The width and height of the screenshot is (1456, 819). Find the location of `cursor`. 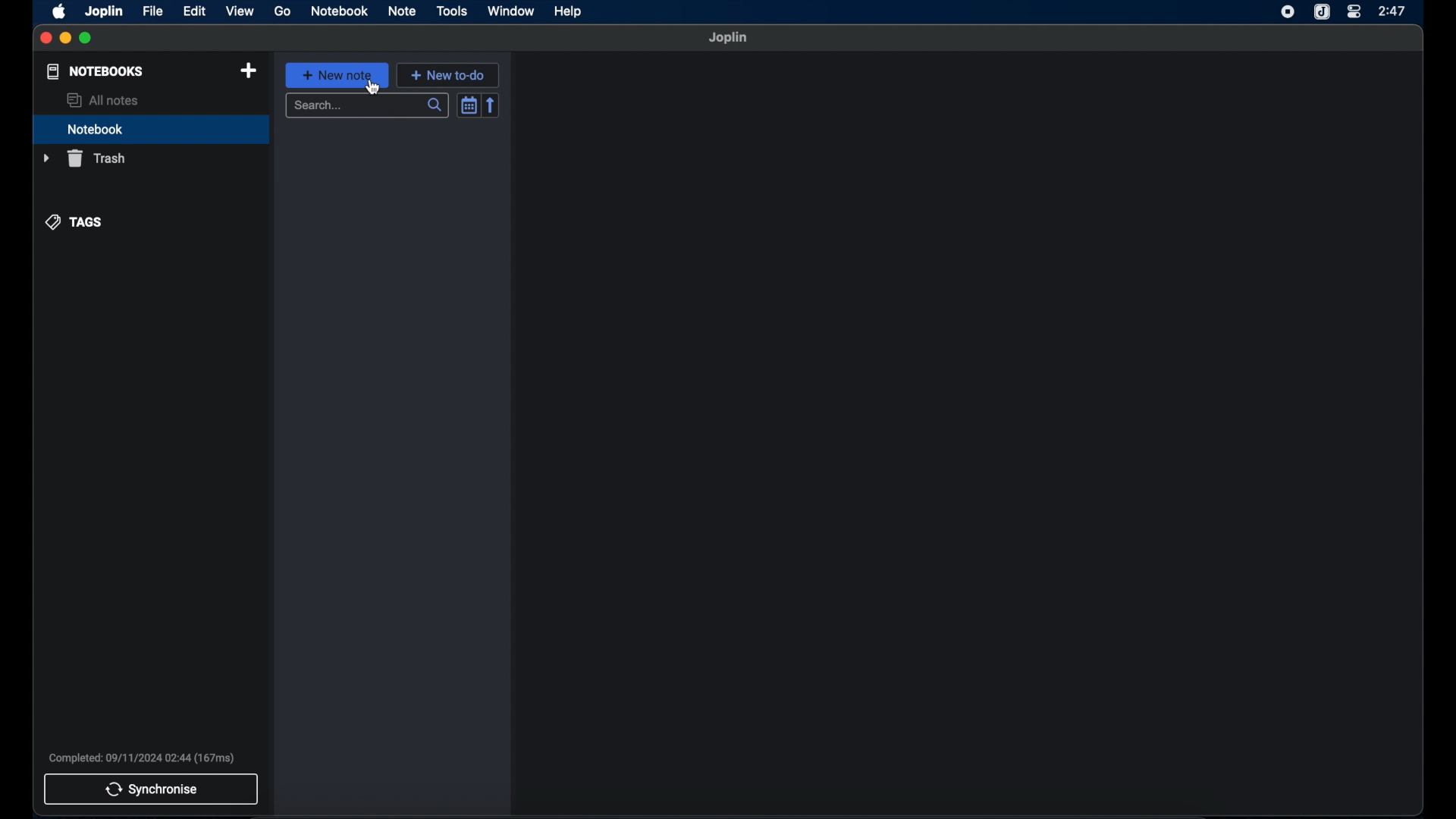

cursor is located at coordinates (376, 88).